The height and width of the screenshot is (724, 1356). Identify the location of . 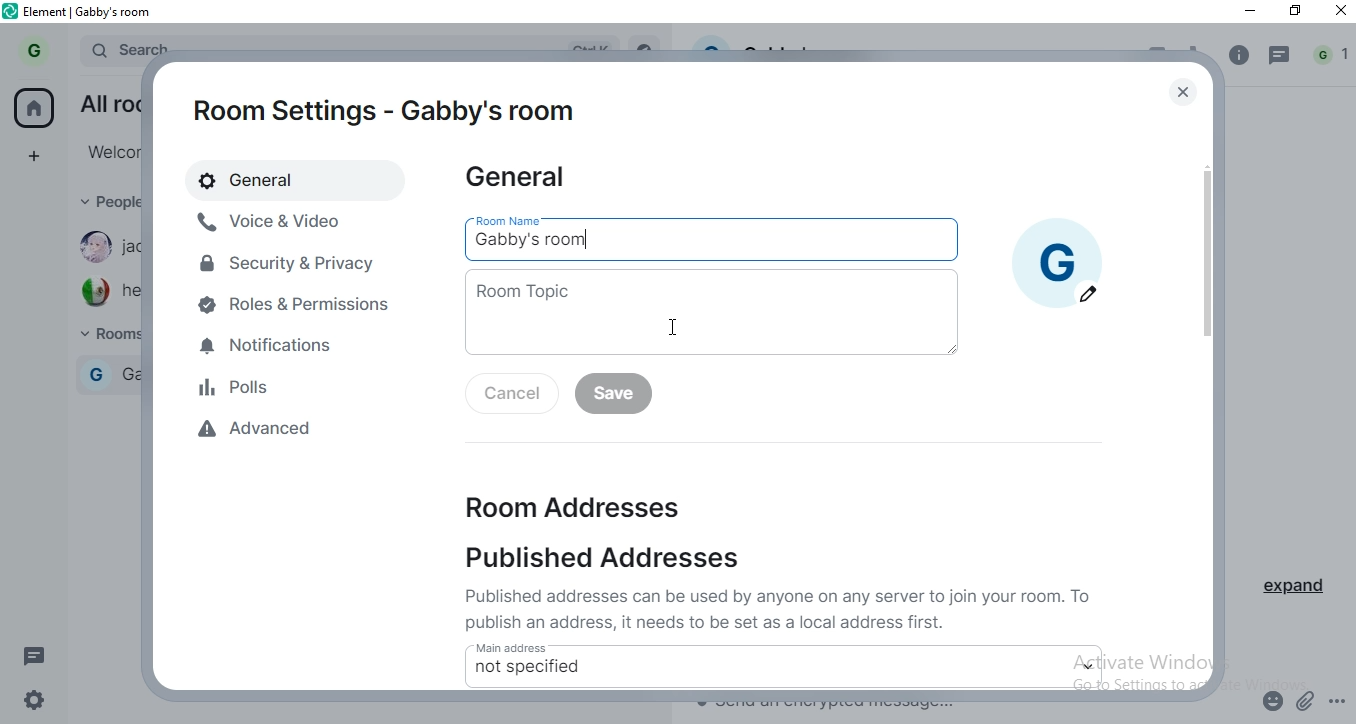
(1340, 697).